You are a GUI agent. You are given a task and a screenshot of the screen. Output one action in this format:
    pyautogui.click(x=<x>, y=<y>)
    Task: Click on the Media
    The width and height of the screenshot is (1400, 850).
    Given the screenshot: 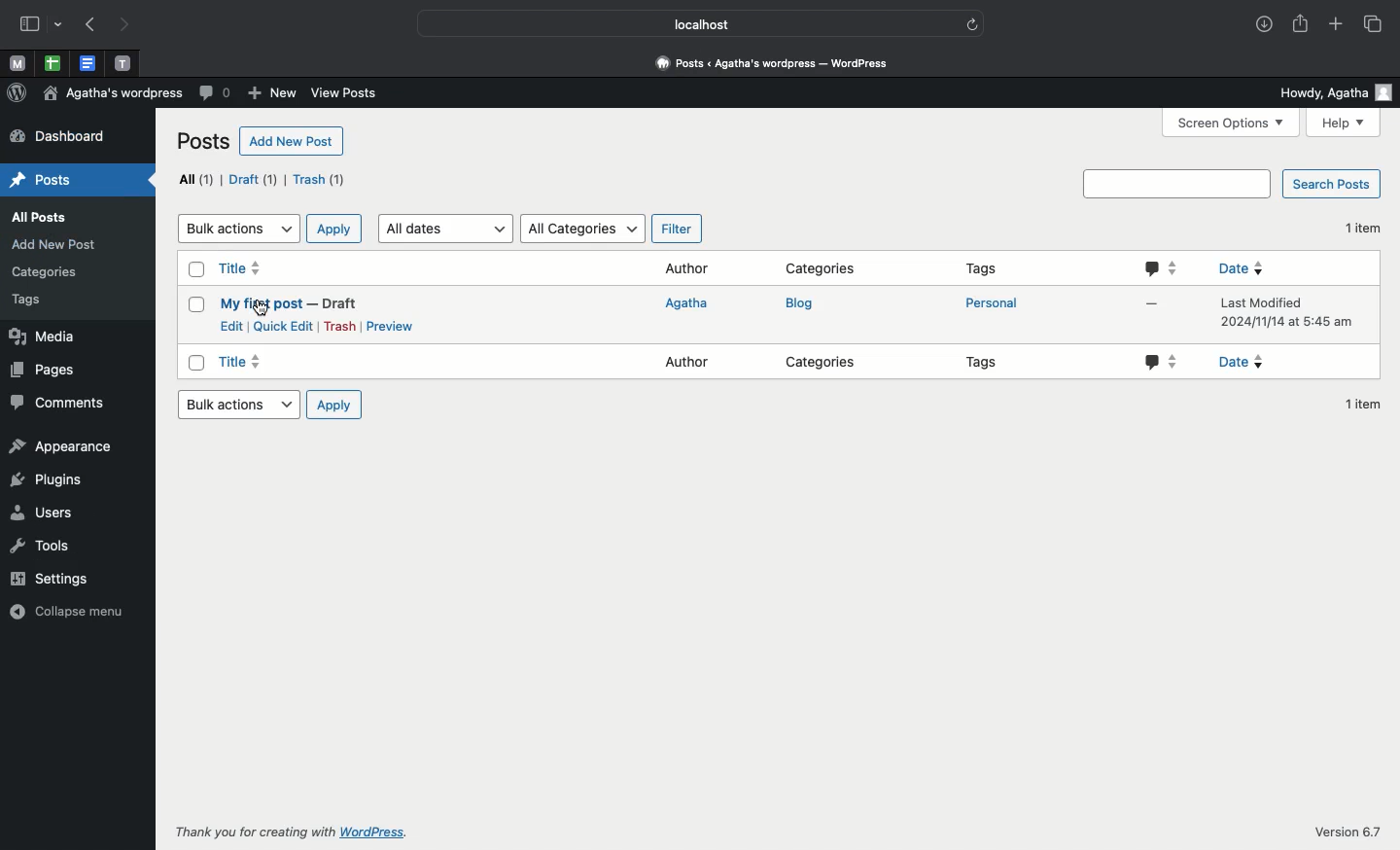 What is the action you would take?
    pyautogui.click(x=42, y=336)
    